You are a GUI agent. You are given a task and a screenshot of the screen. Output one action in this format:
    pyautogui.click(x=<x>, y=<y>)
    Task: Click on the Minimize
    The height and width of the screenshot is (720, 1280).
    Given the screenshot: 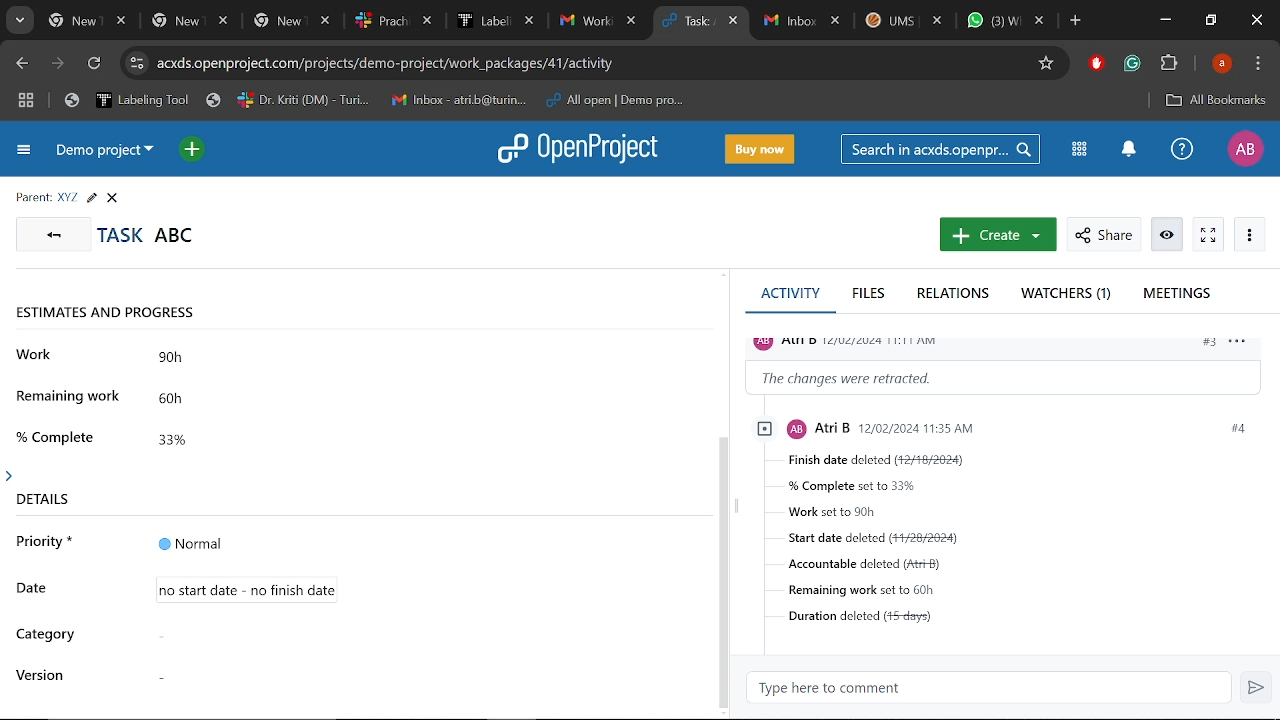 What is the action you would take?
    pyautogui.click(x=1165, y=19)
    